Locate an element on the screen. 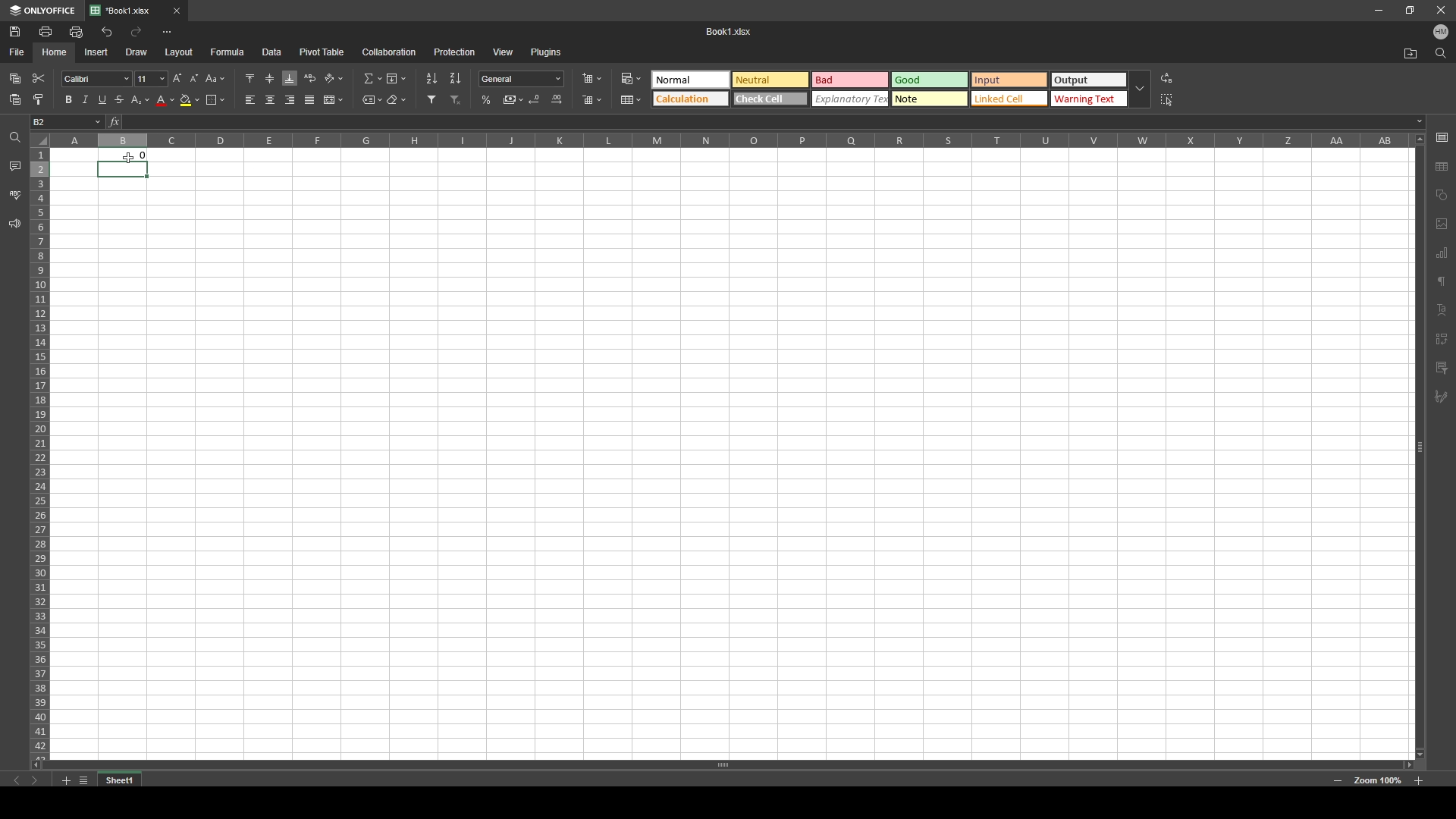 The height and width of the screenshot is (819, 1456). draw is located at coordinates (137, 52).